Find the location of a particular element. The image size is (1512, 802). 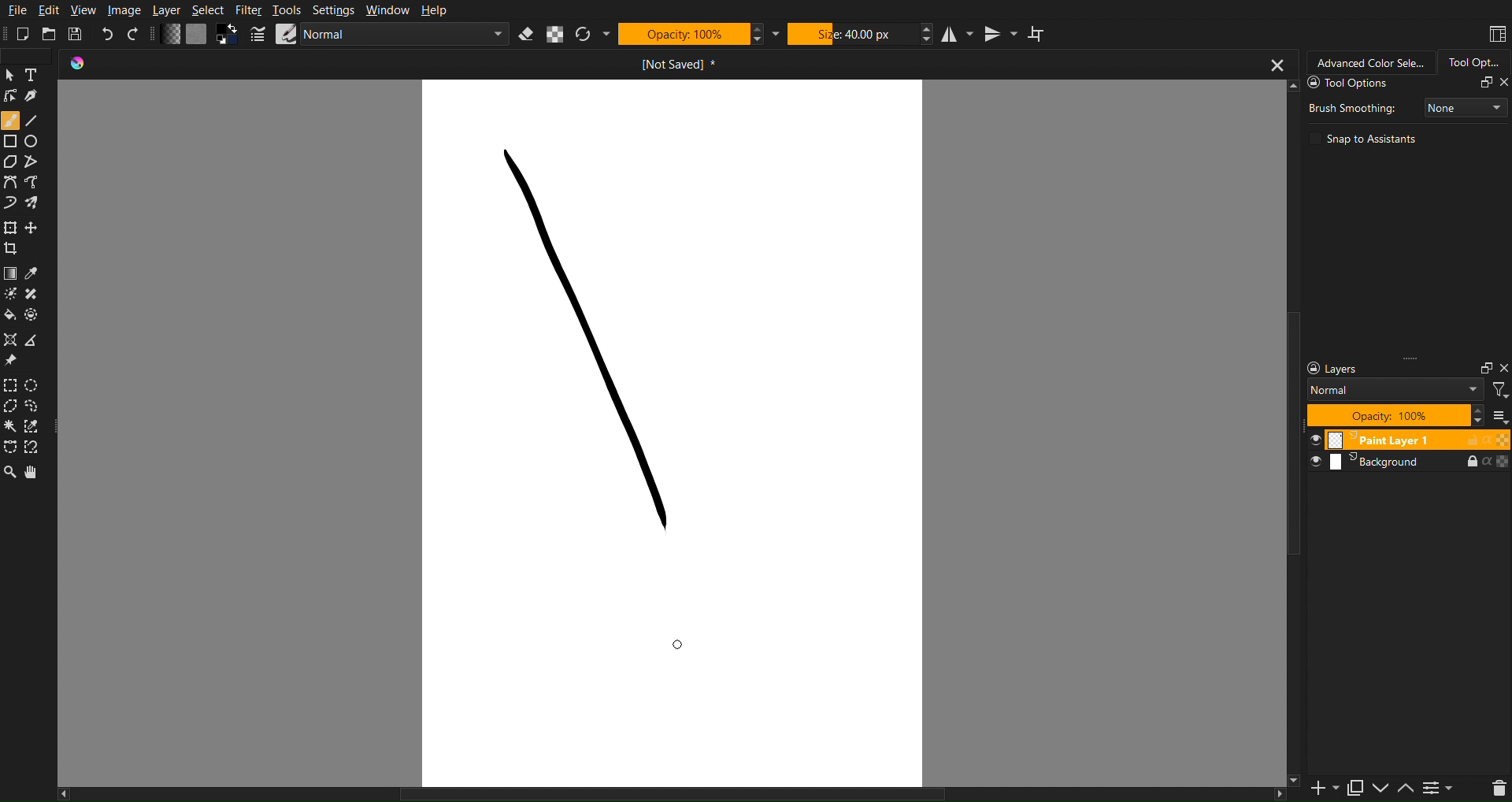

Bezier Curve is located at coordinates (39, 184).